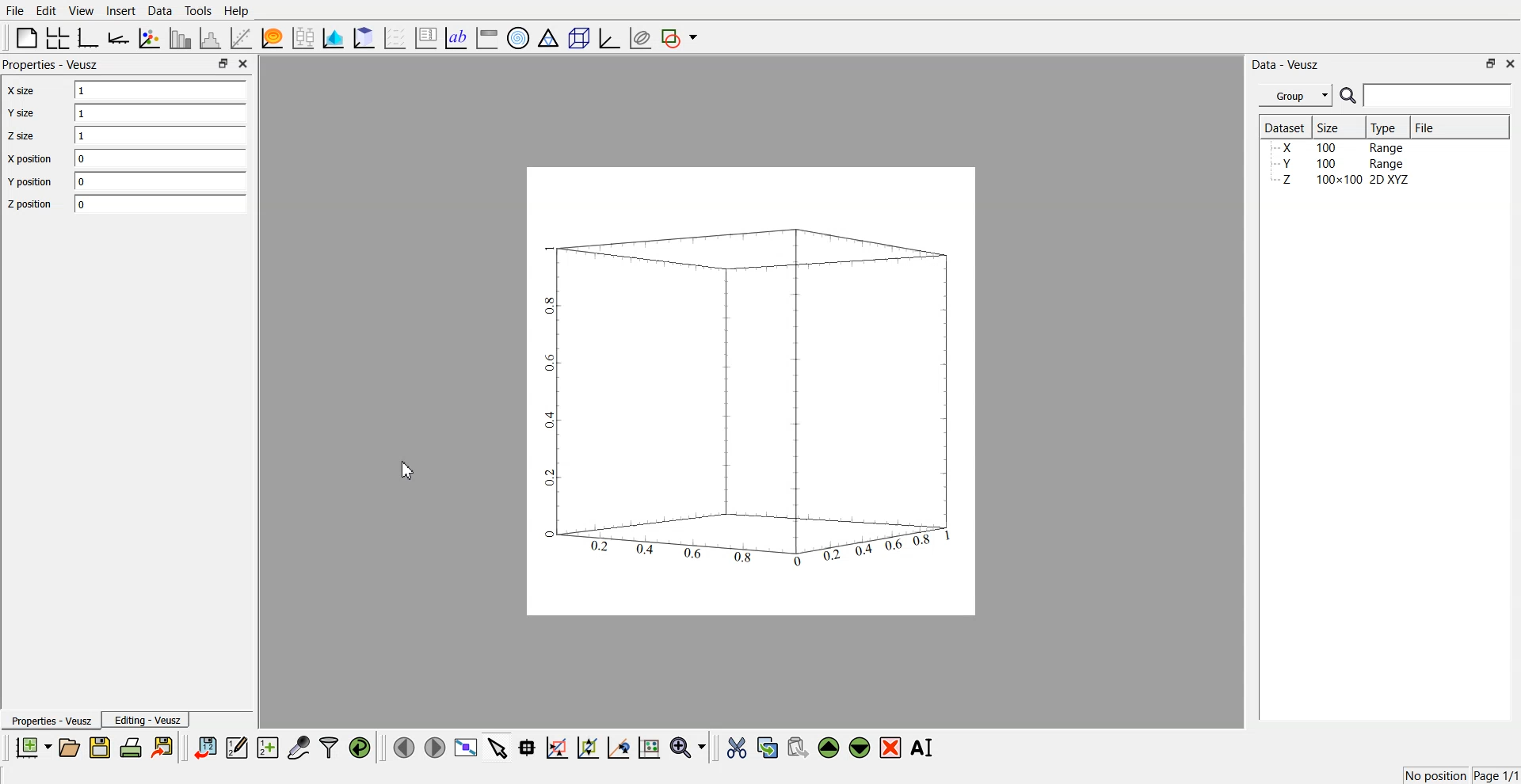 Image resolution: width=1521 pixels, height=784 pixels. I want to click on Open the document, so click(68, 748).